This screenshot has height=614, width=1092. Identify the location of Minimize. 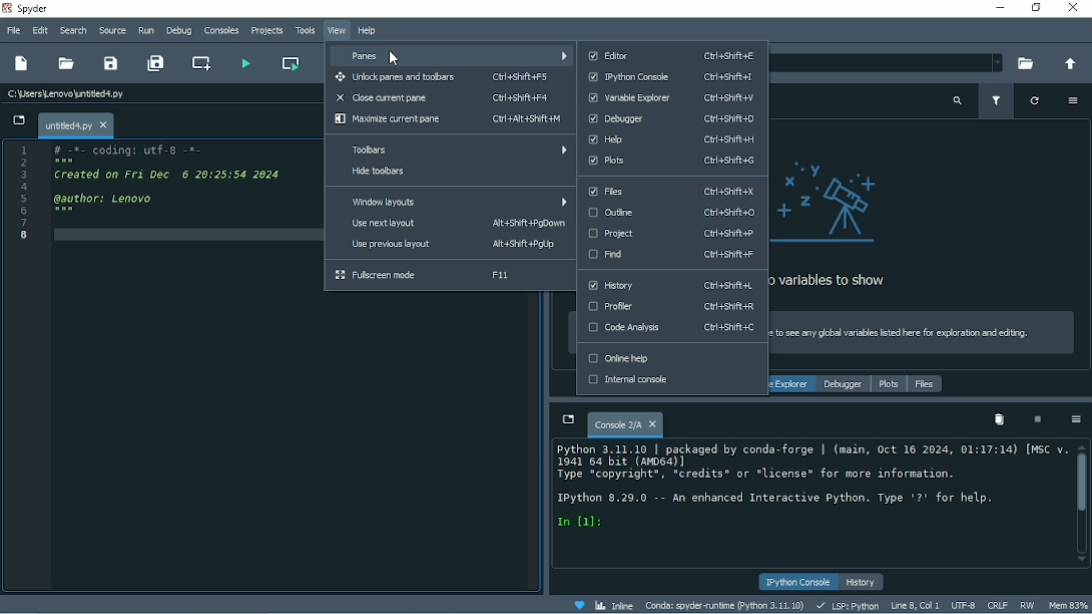
(999, 8).